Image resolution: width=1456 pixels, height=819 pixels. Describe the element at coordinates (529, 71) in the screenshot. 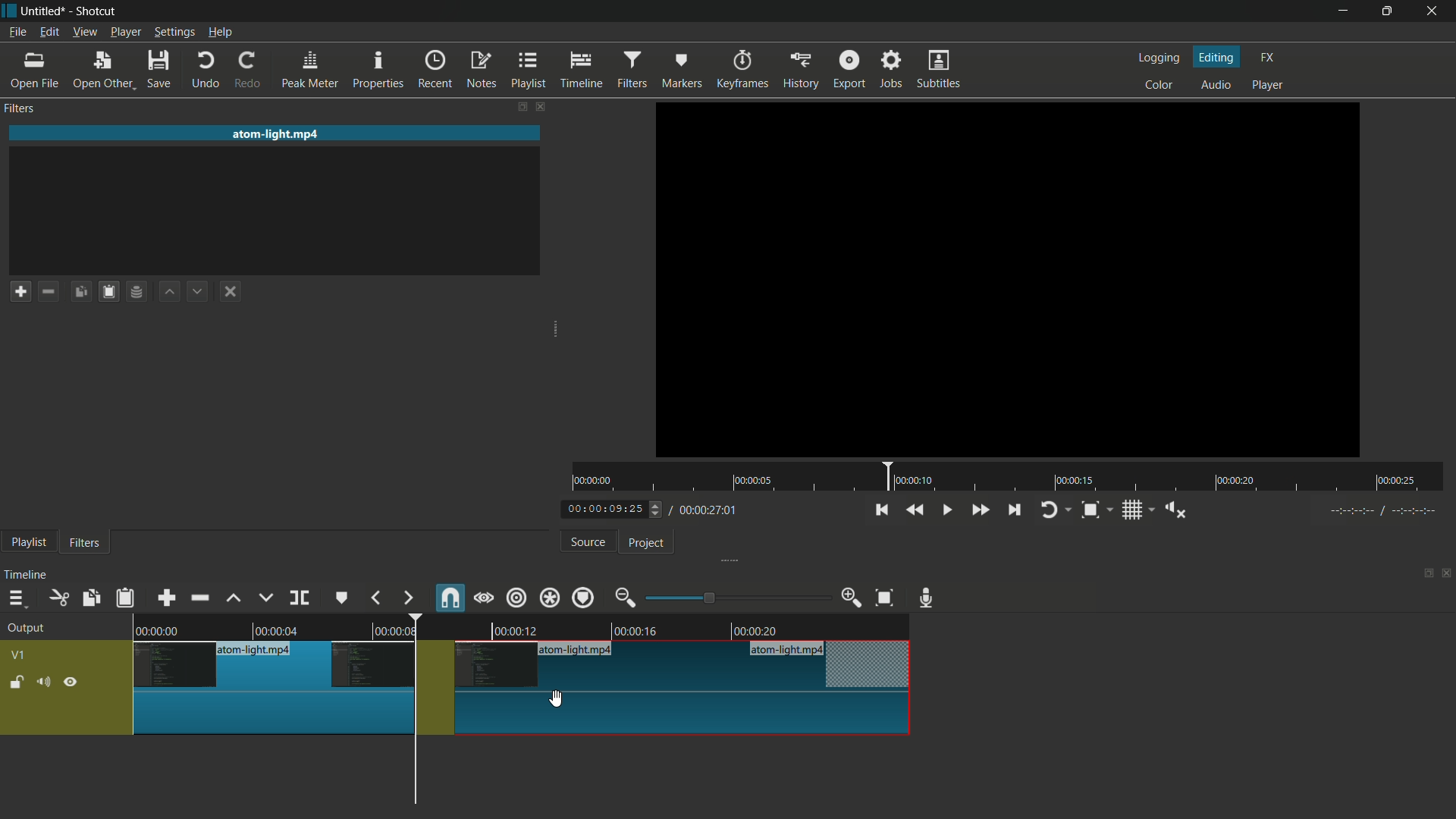

I see `playlist` at that location.